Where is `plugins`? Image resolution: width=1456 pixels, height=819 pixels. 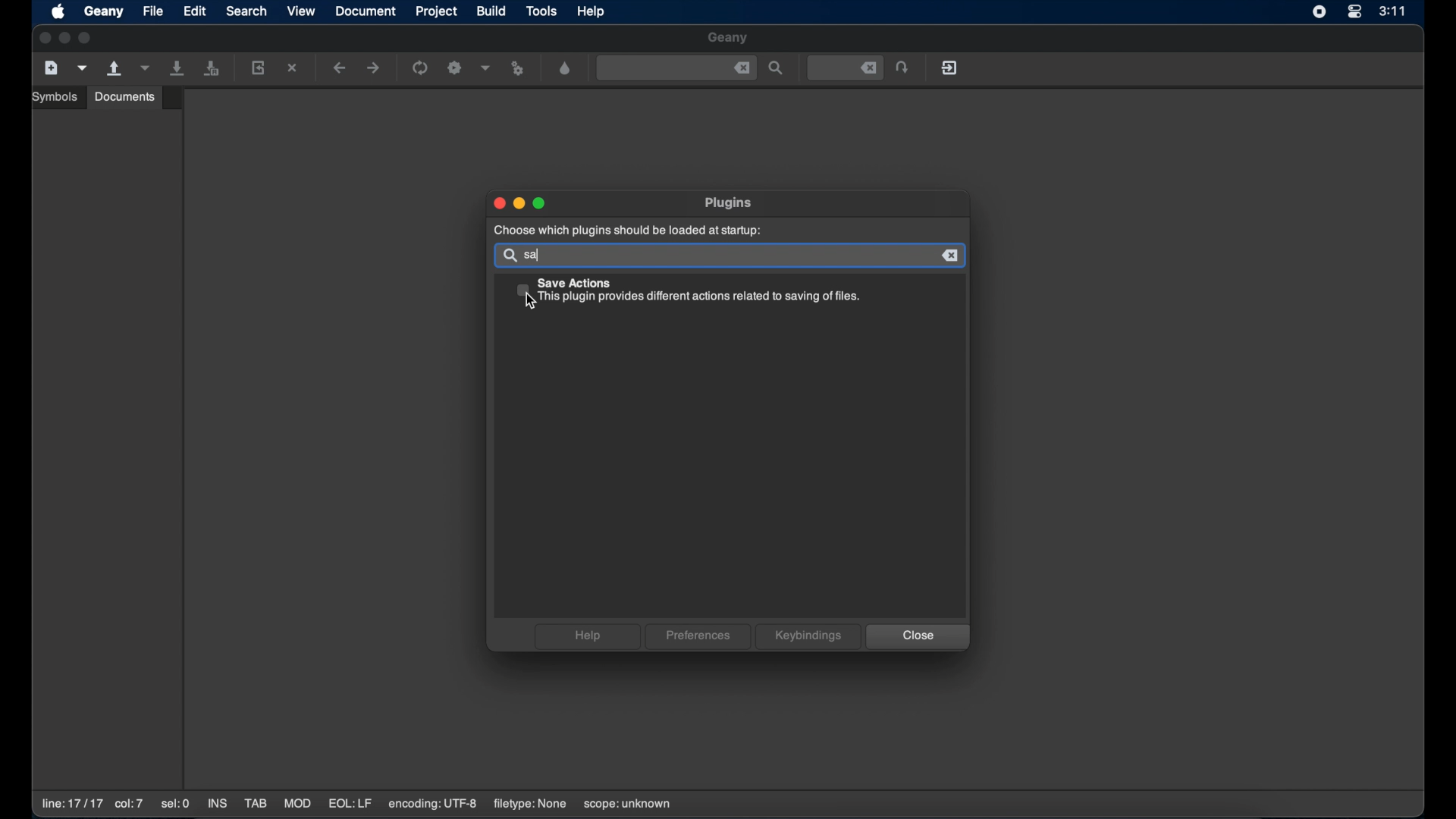 plugins is located at coordinates (730, 202).